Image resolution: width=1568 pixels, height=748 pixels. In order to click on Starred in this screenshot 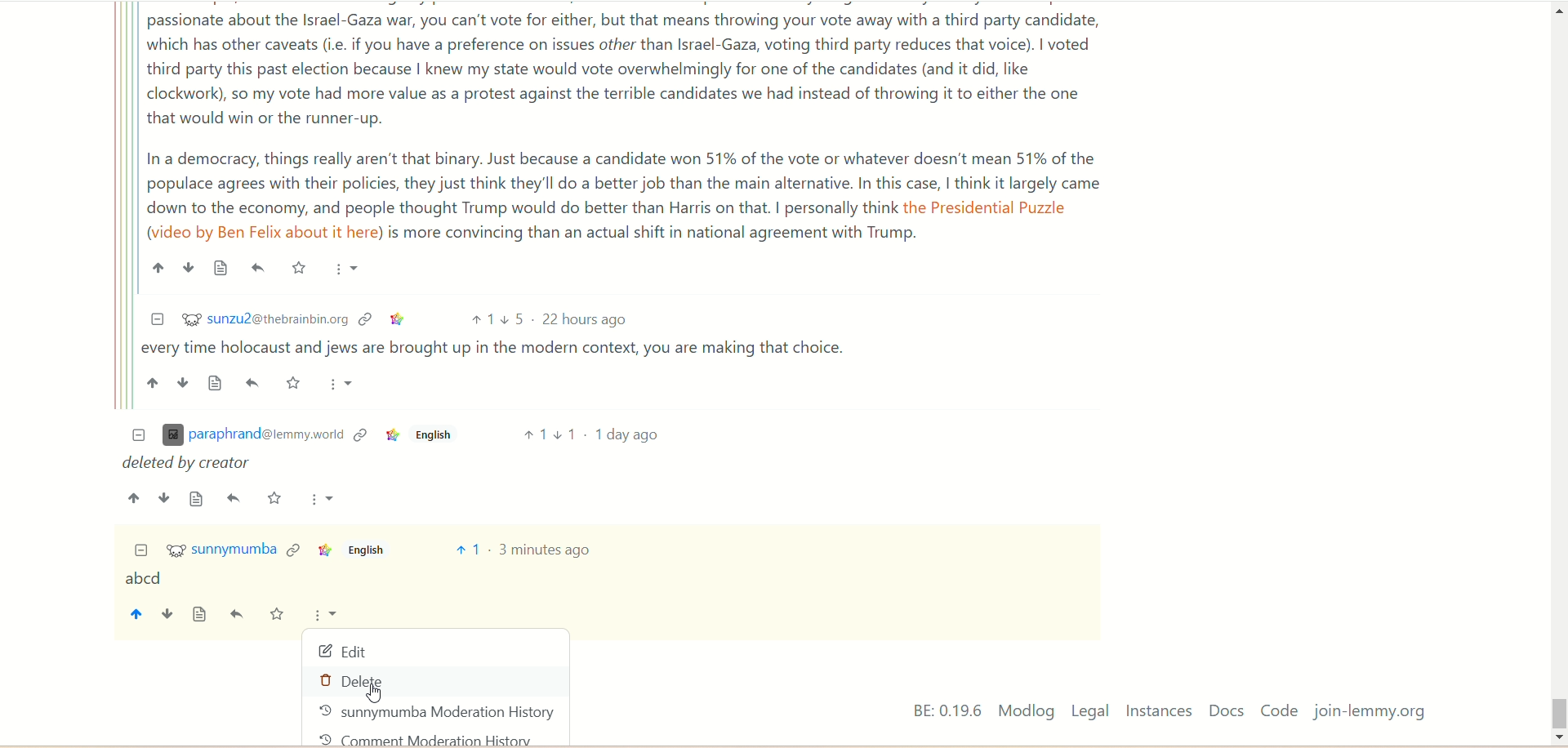, I will do `click(275, 497)`.